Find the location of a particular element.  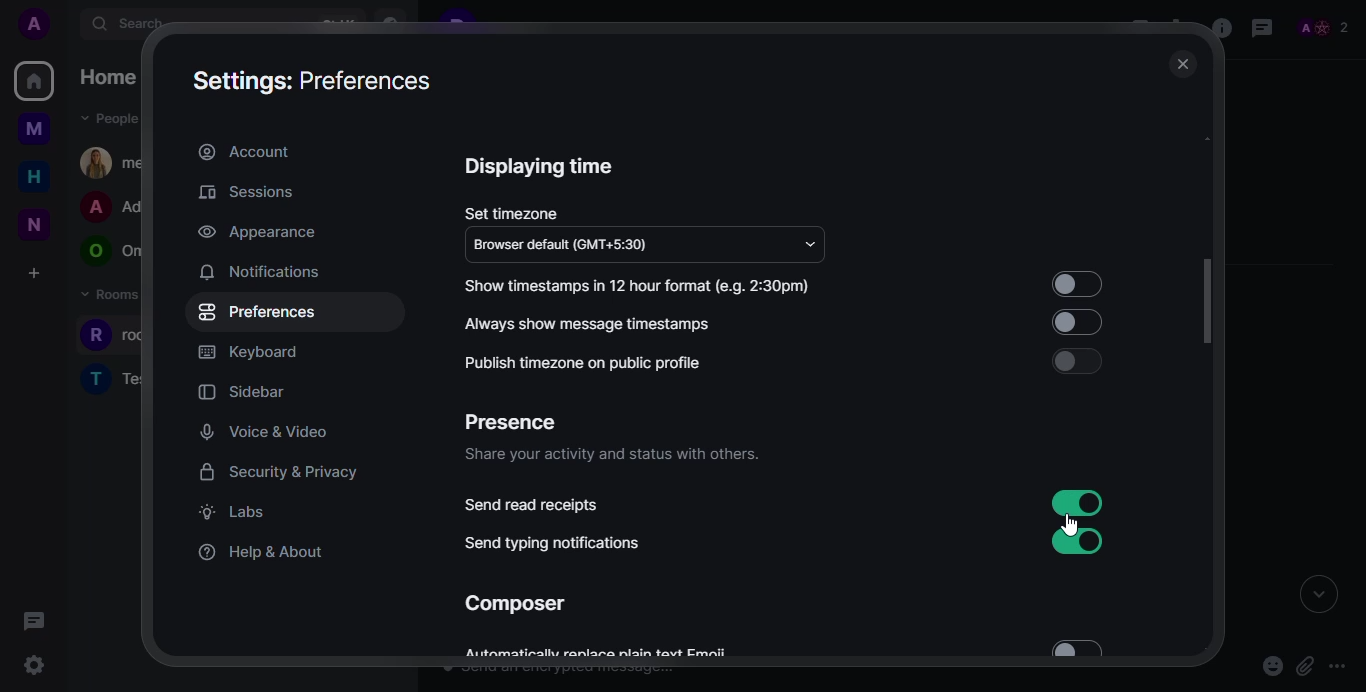

notifications is located at coordinates (259, 271).